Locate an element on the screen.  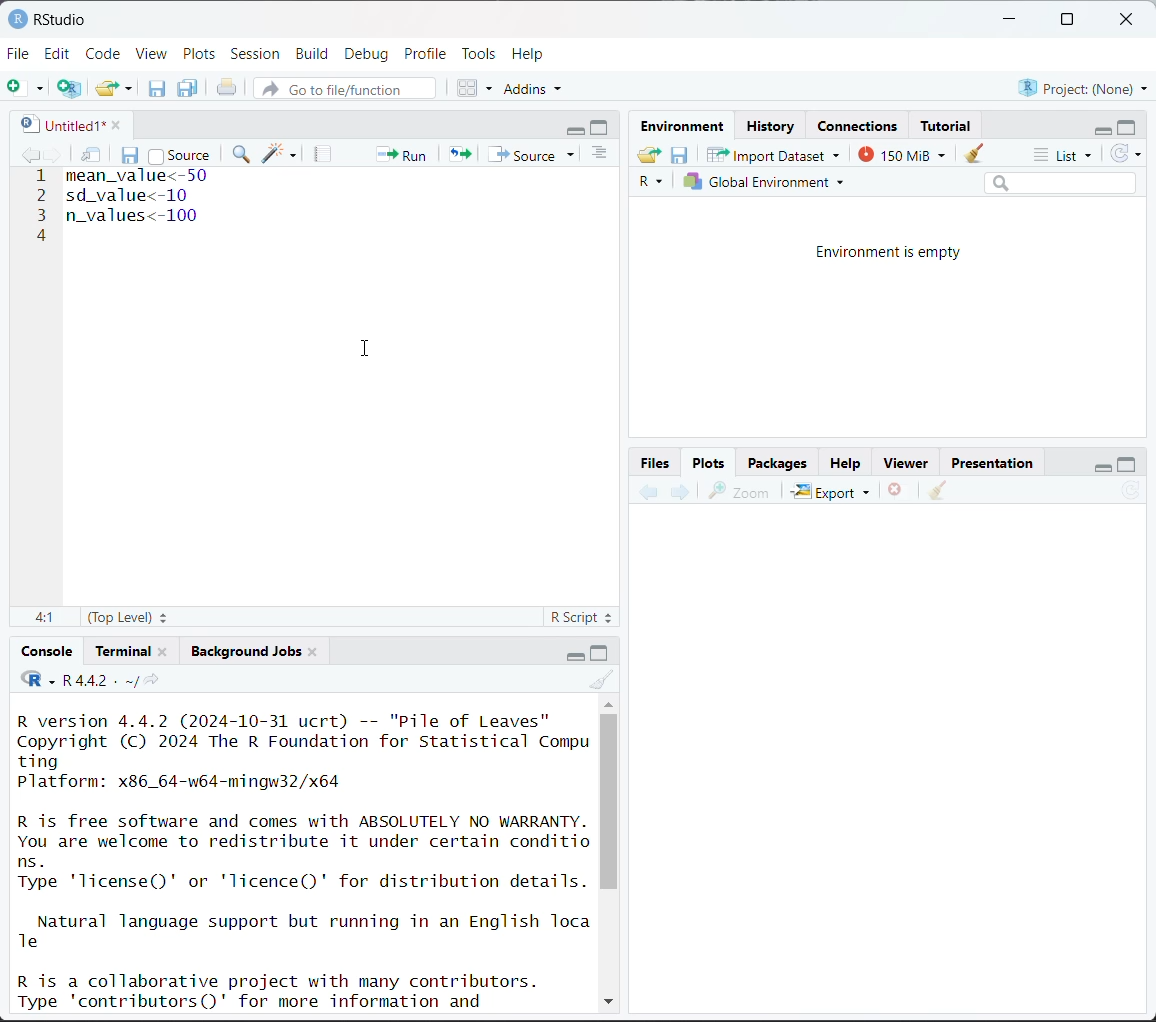
save current document is located at coordinates (131, 153).